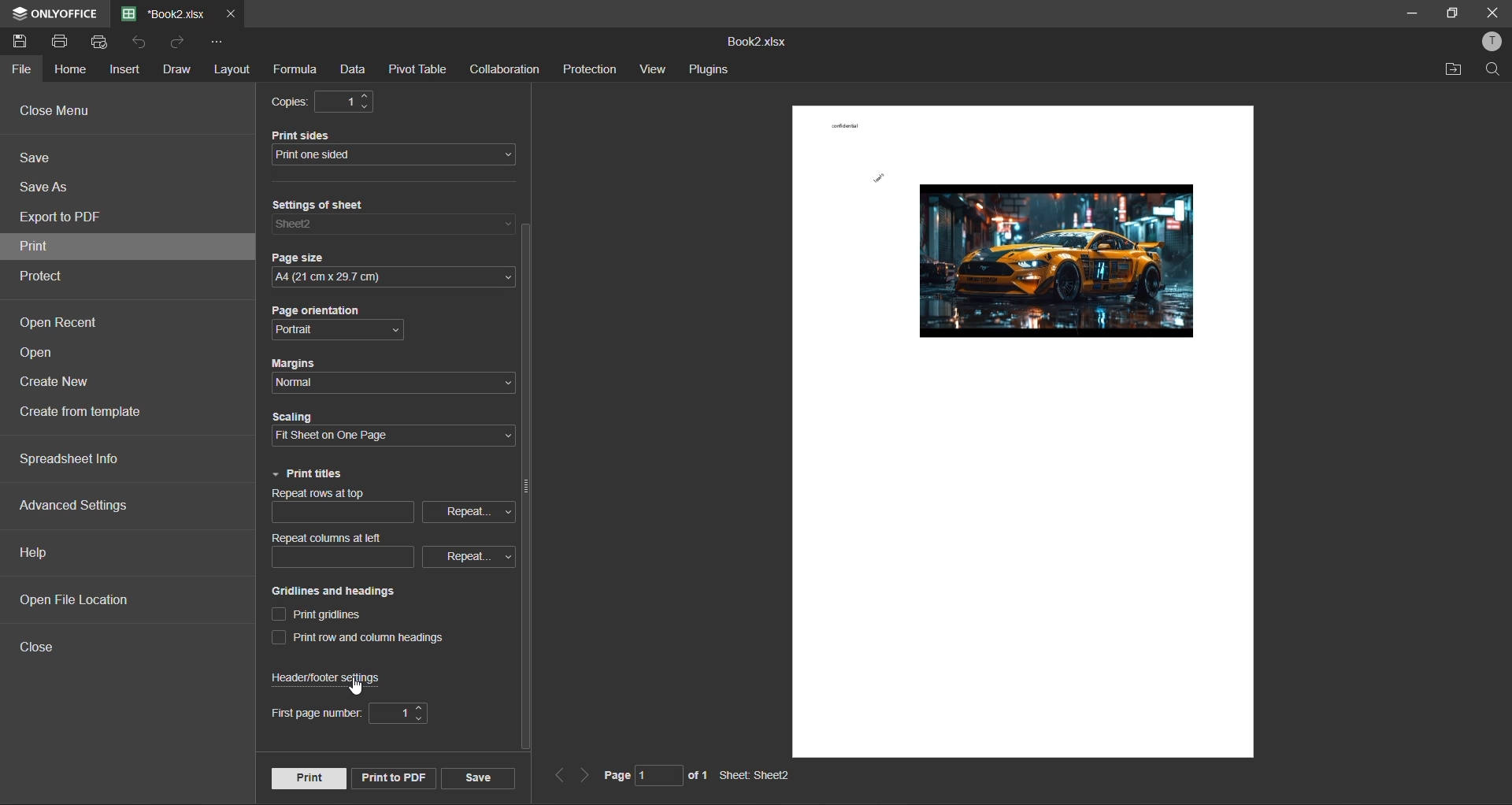  Describe the element at coordinates (557, 773) in the screenshot. I see `previous` at that location.